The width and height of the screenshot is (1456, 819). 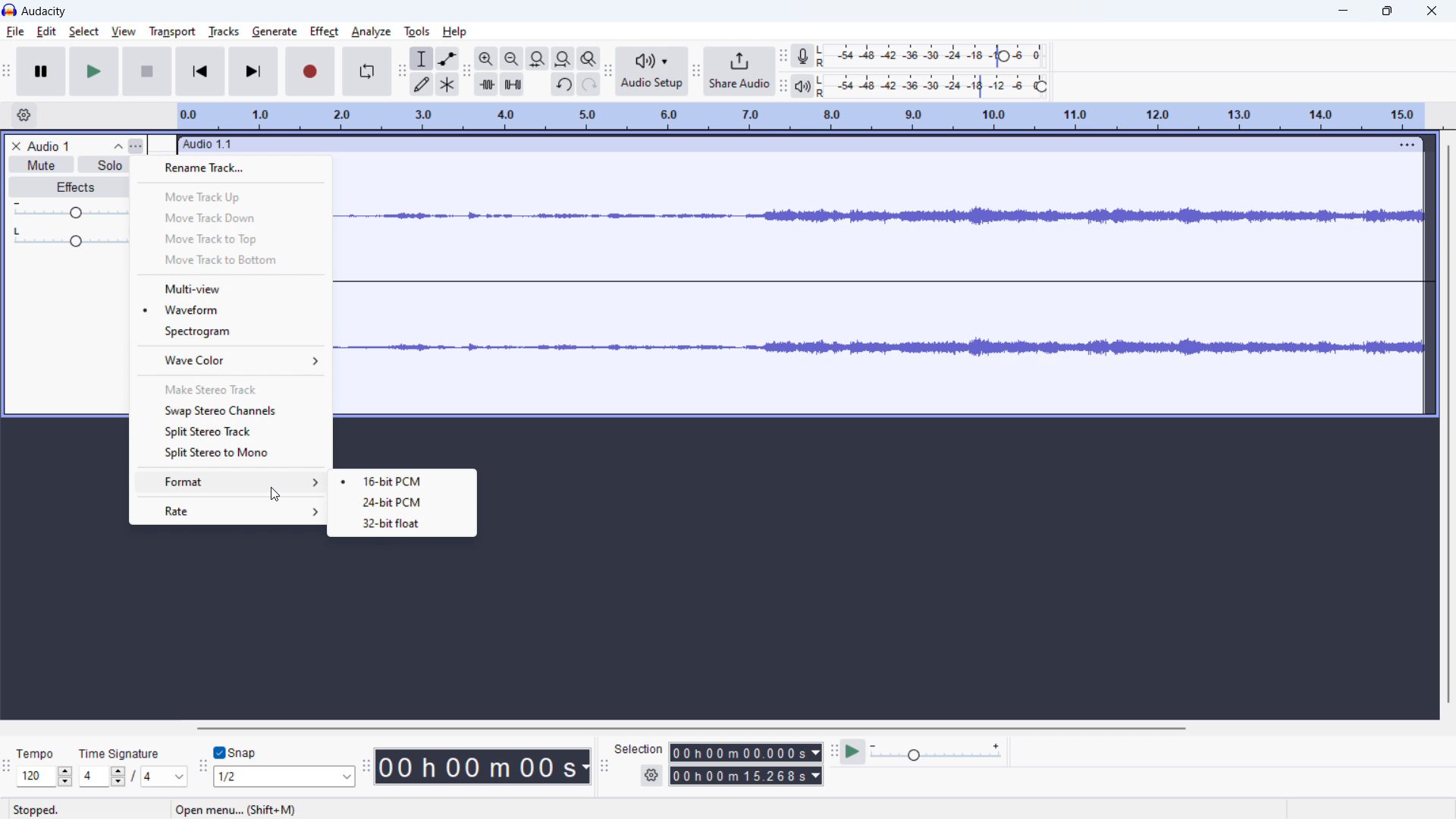 What do you see at coordinates (802, 115) in the screenshot?
I see `timeline` at bounding box center [802, 115].